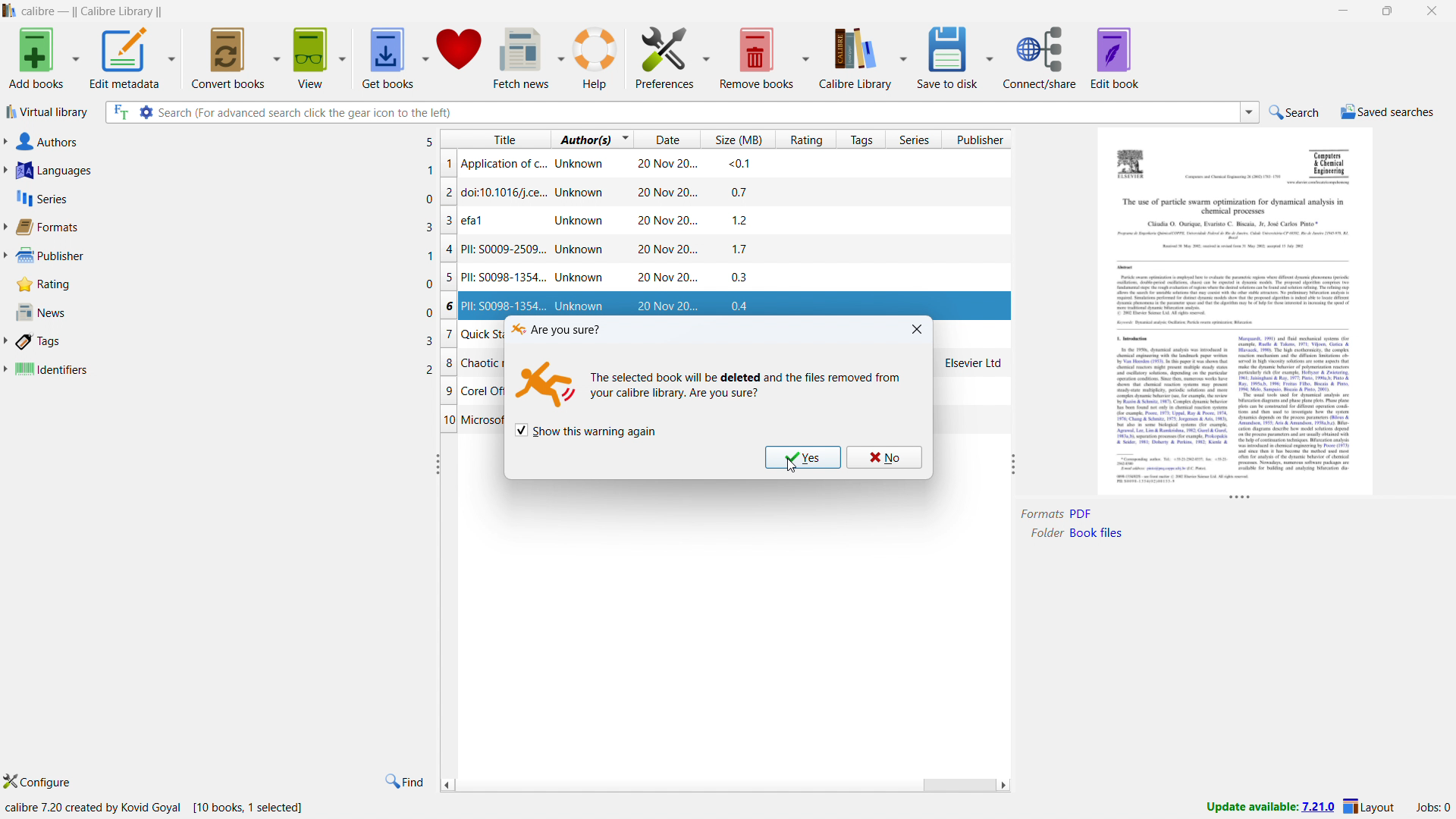 The height and width of the screenshot is (819, 1456). What do you see at coordinates (93, 12) in the screenshot?
I see `title` at bounding box center [93, 12].